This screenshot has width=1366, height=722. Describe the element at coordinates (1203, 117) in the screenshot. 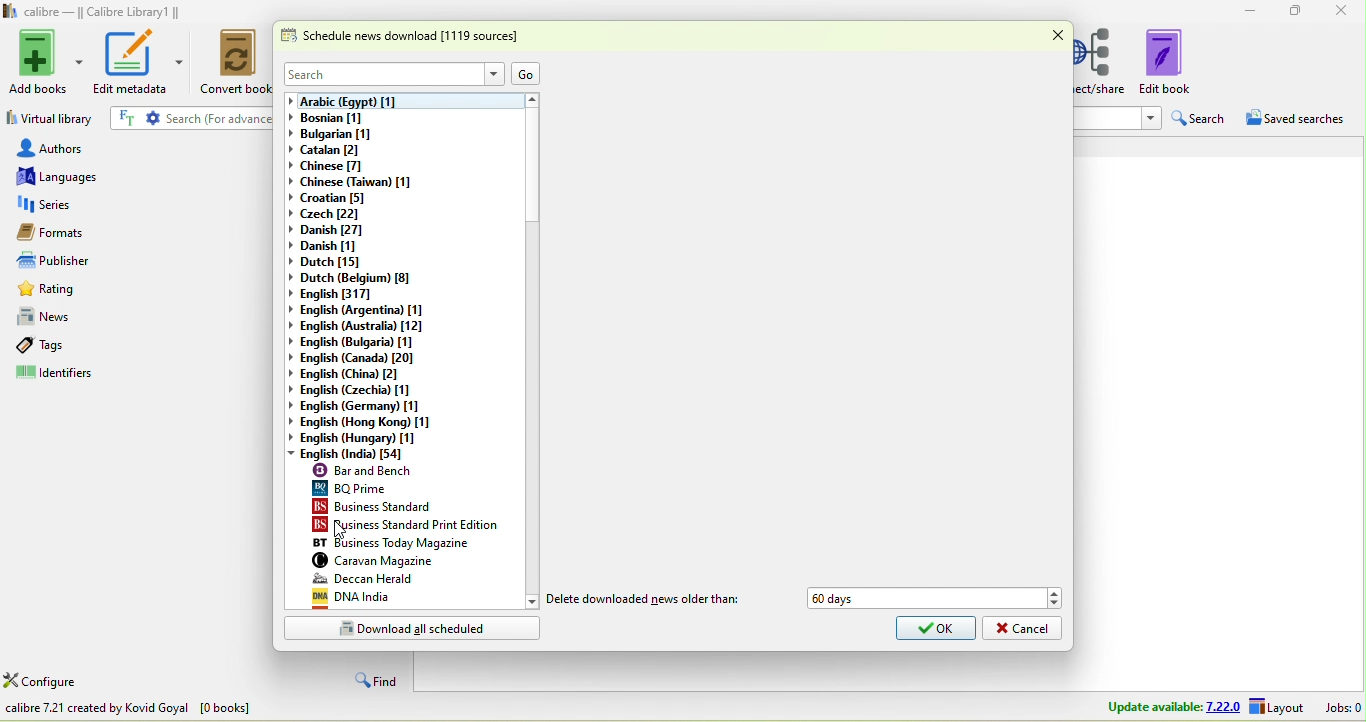

I see `search` at that location.